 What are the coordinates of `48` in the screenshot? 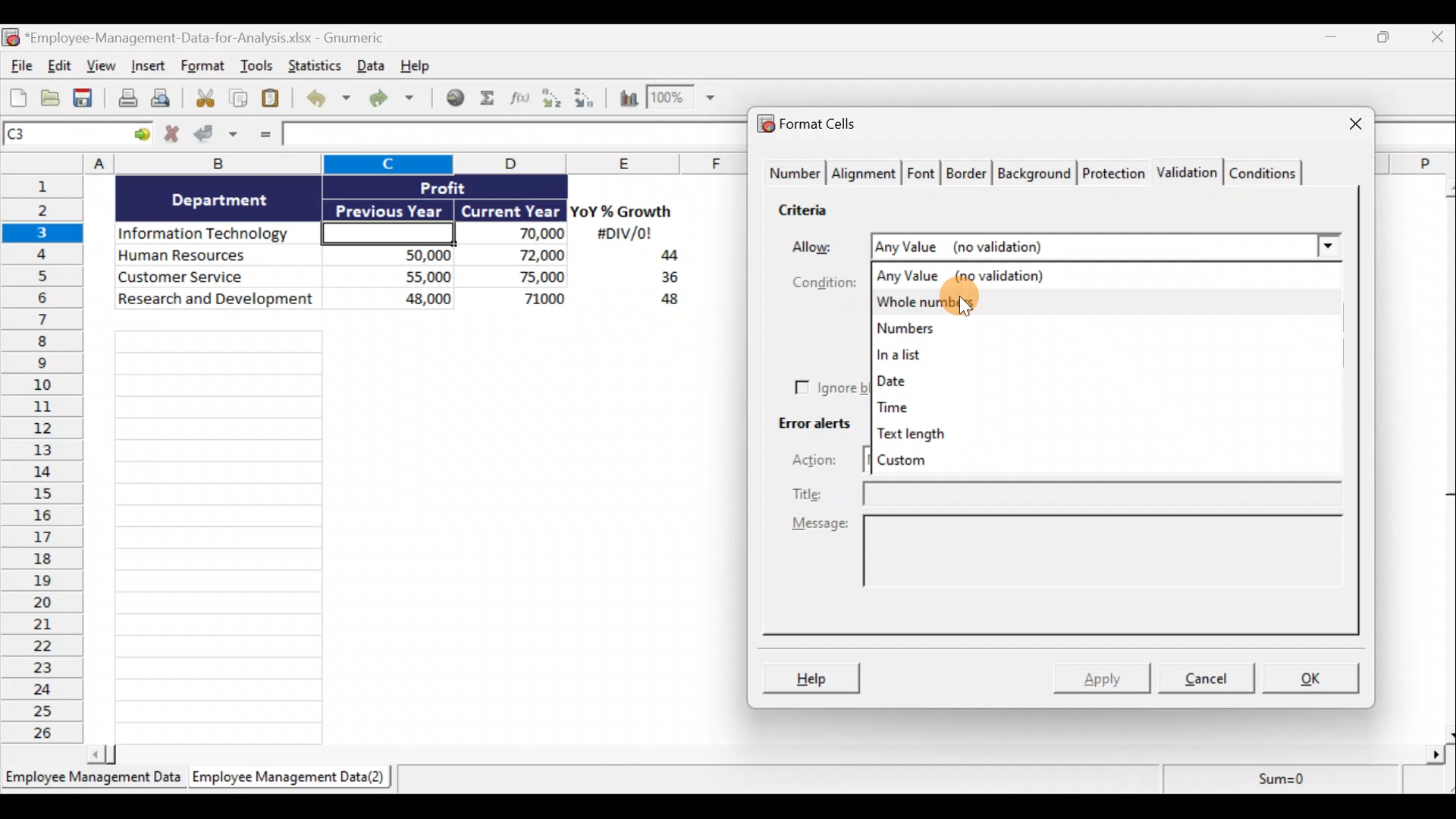 It's located at (661, 302).